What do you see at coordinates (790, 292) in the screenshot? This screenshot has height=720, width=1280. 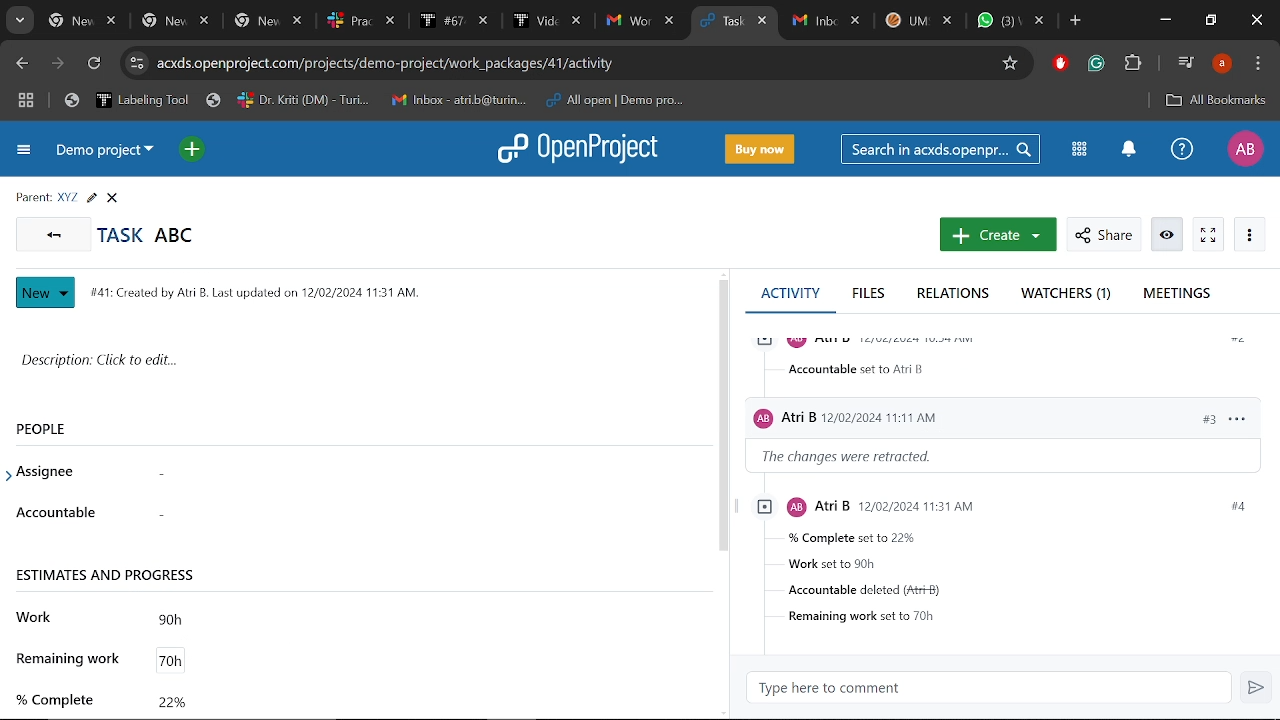 I see `Activity` at bounding box center [790, 292].